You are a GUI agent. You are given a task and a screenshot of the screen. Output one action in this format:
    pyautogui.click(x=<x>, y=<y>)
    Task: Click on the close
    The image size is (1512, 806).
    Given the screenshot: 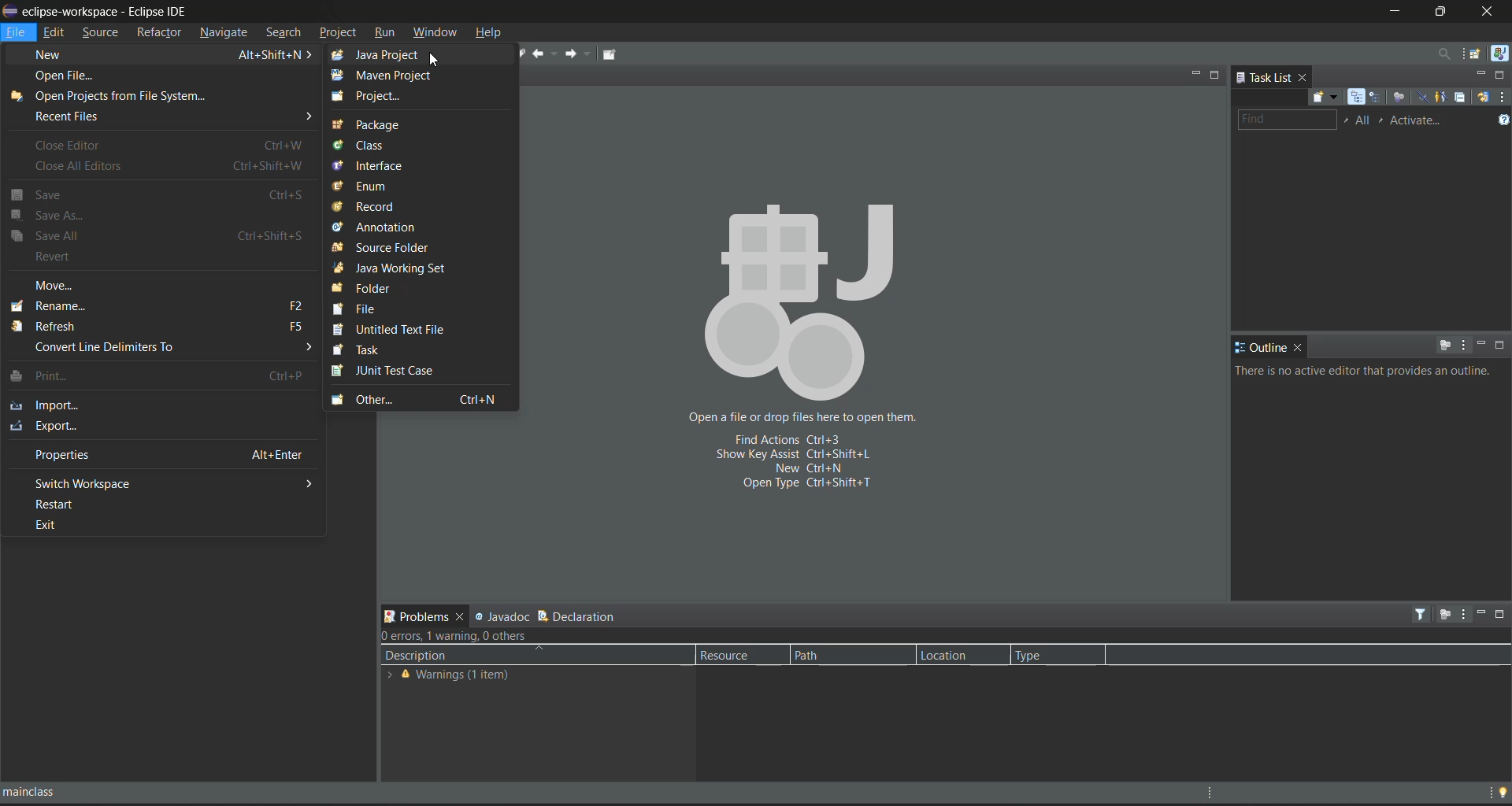 What is the action you would take?
    pyautogui.click(x=1489, y=12)
    